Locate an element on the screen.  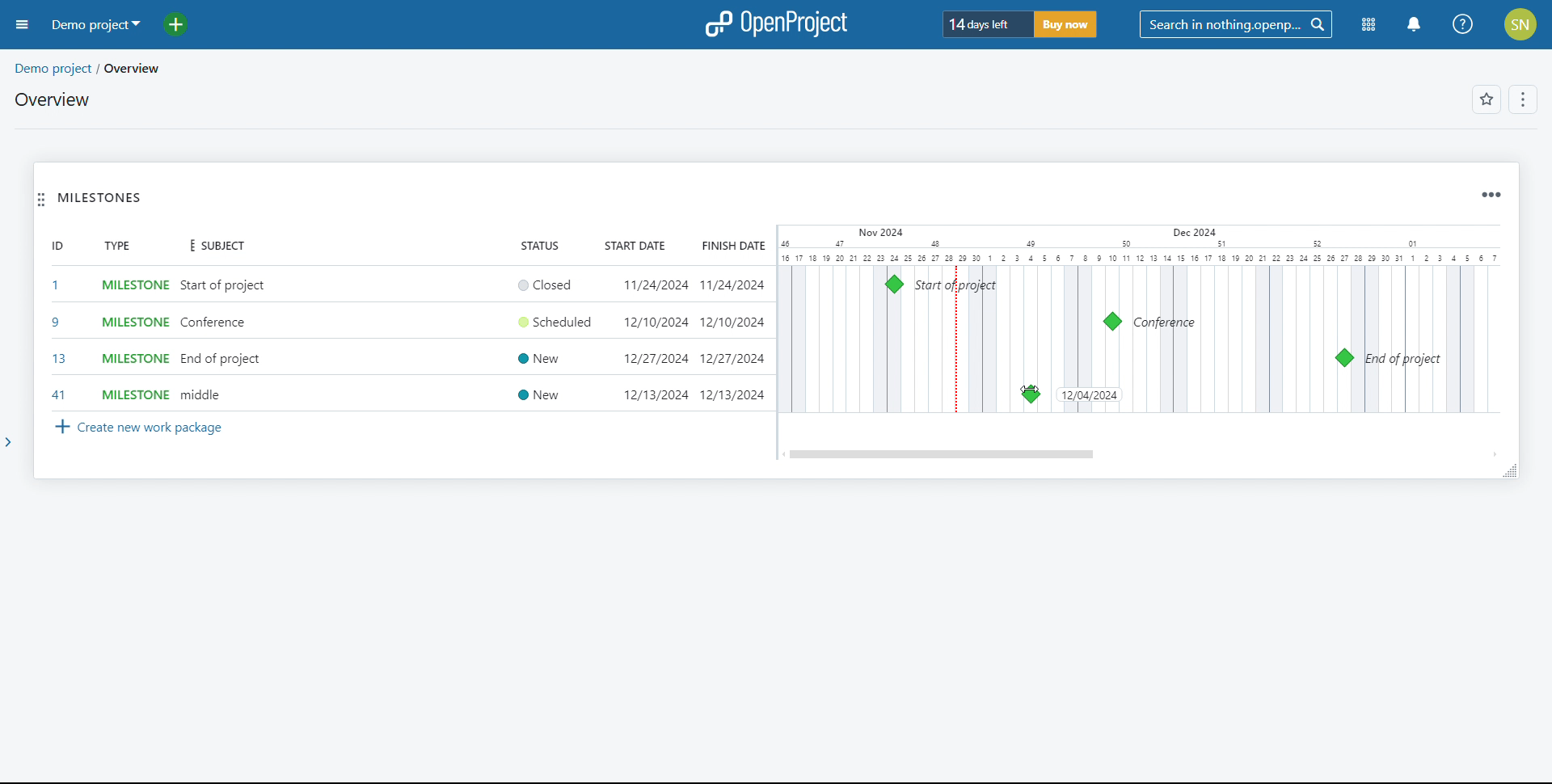
date changed is located at coordinates (1089, 394).